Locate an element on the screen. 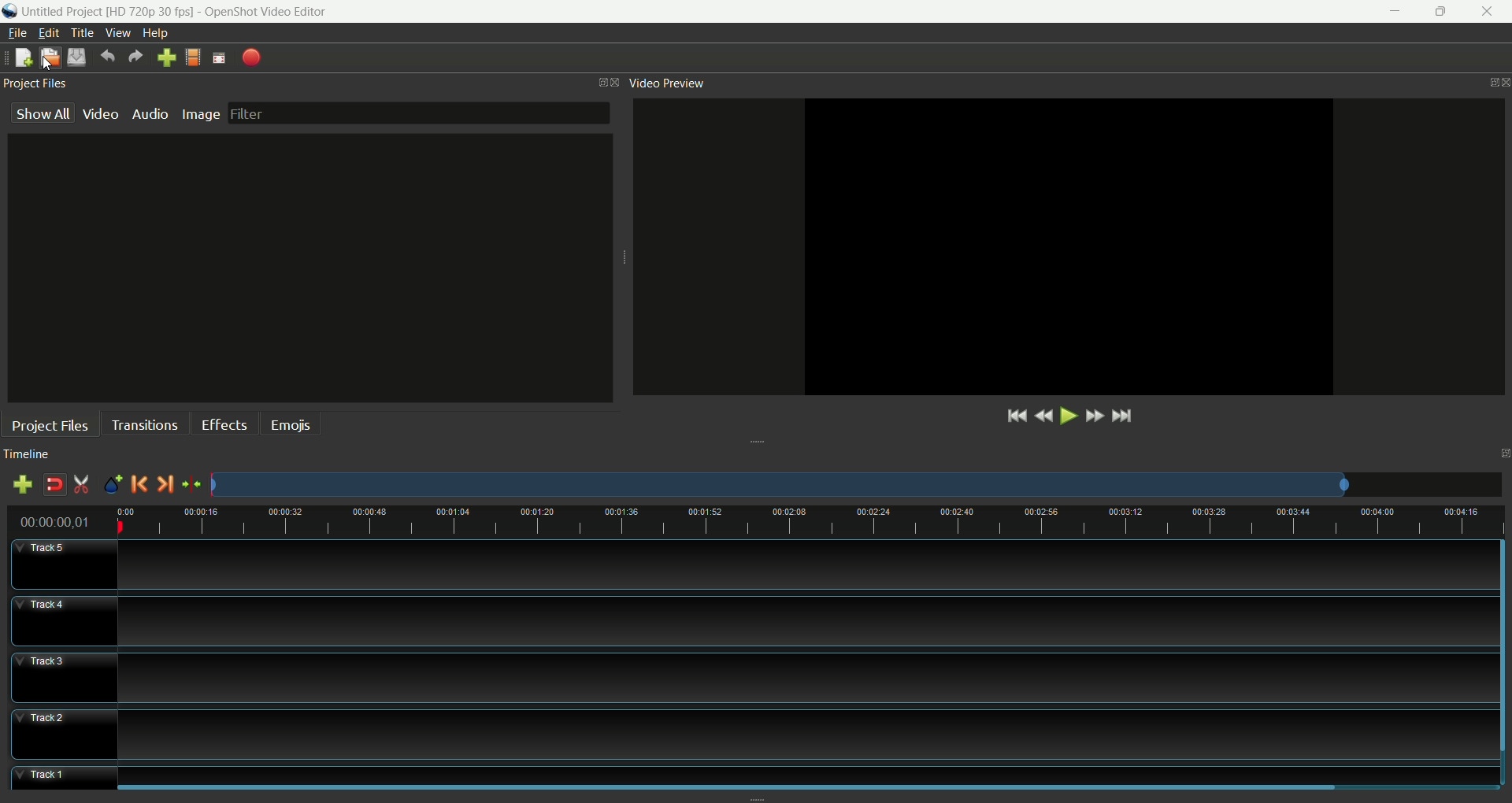  play is located at coordinates (1072, 416).